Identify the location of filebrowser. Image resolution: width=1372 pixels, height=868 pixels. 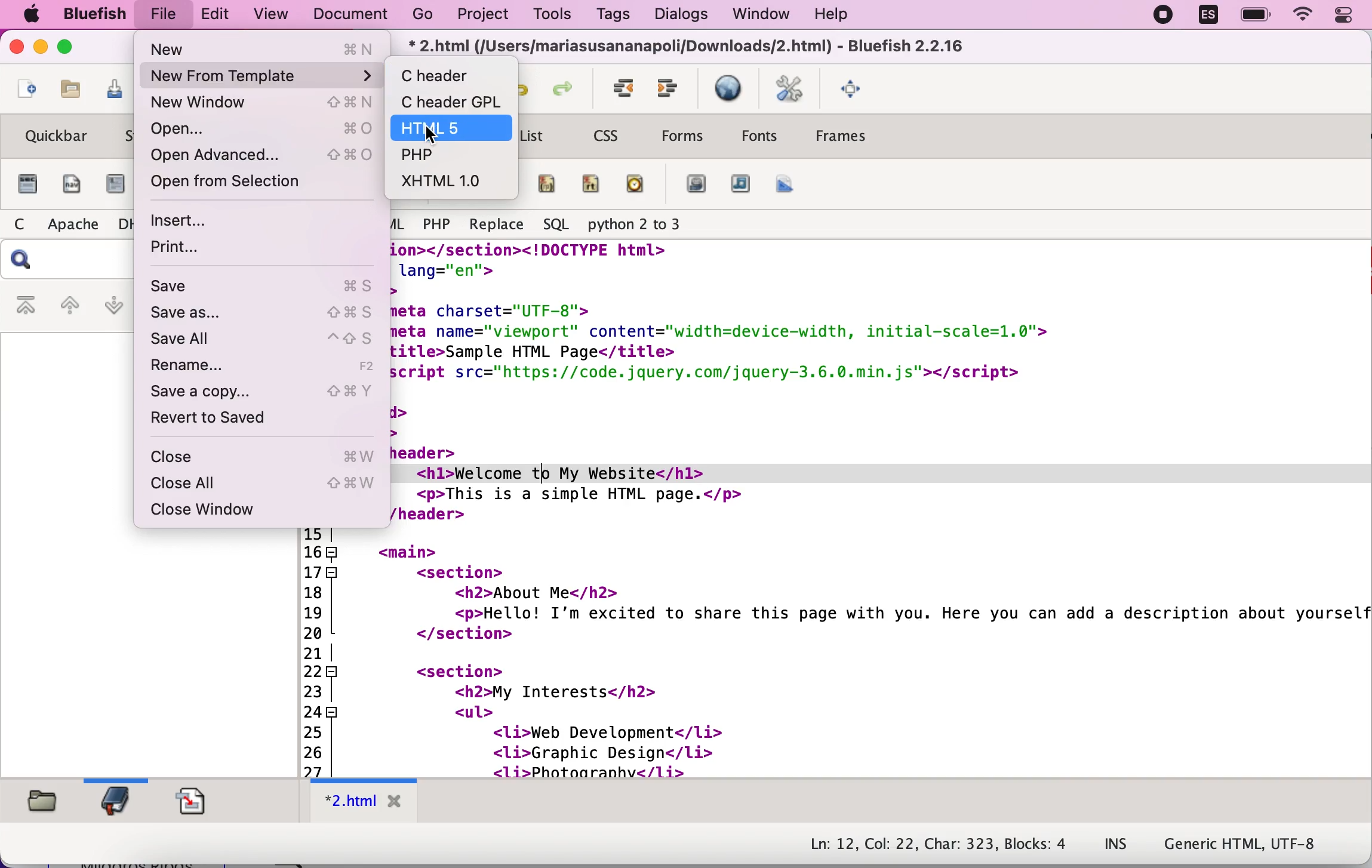
(47, 807).